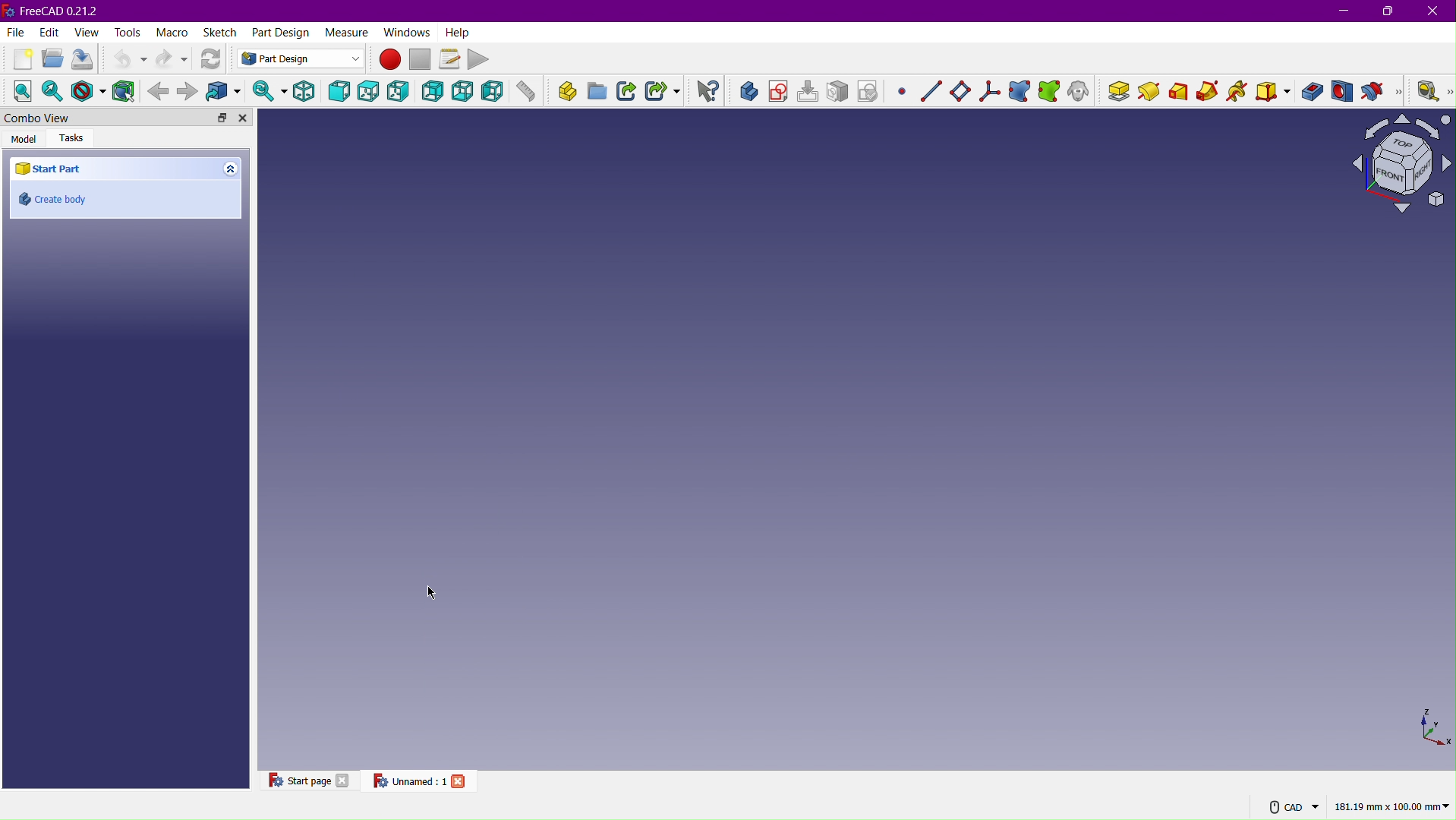 The height and width of the screenshot is (820, 1456). I want to click on Top, so click(367, 92).